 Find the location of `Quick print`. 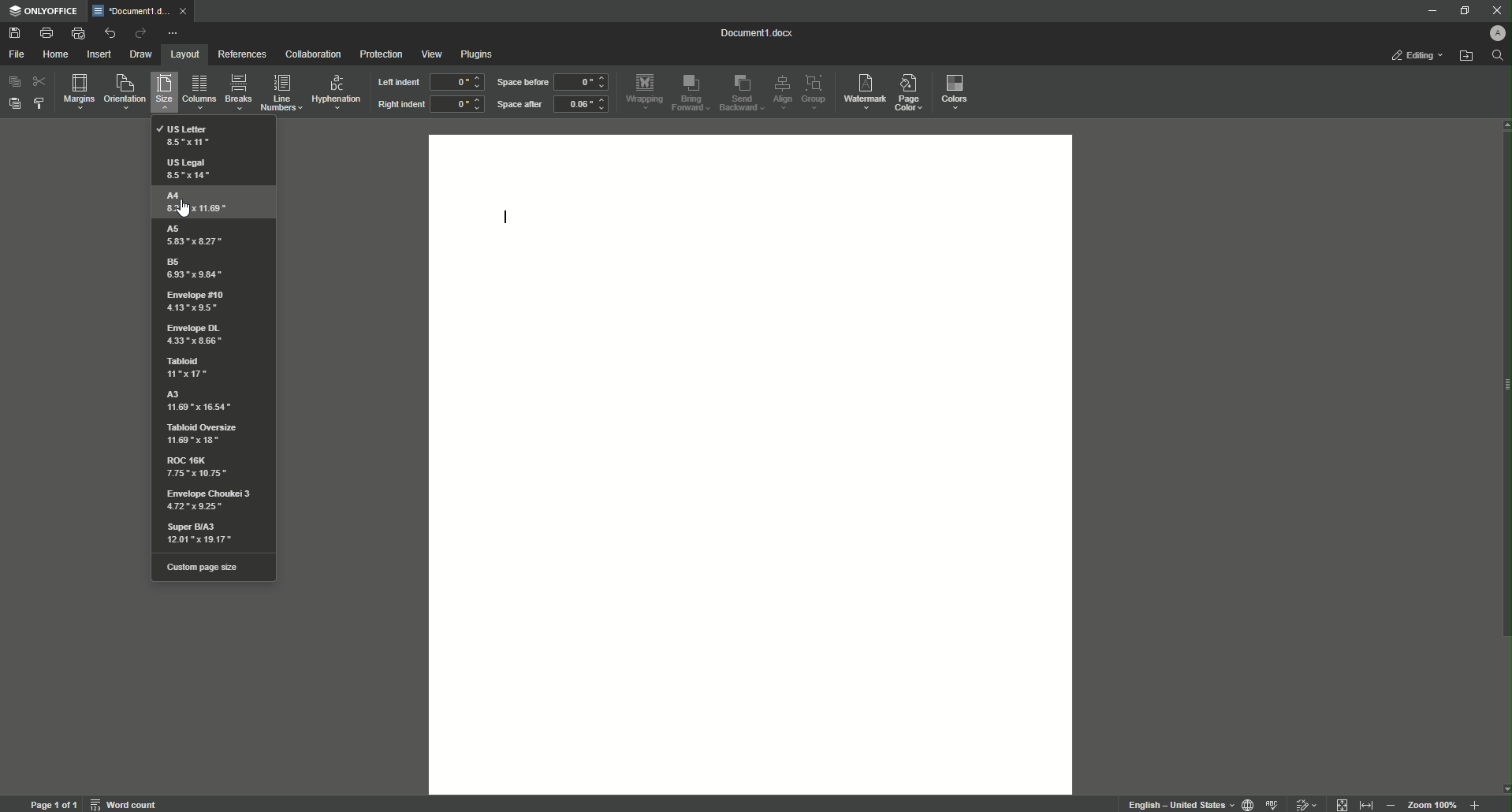

Quick print is located at coordinates (76, 32).